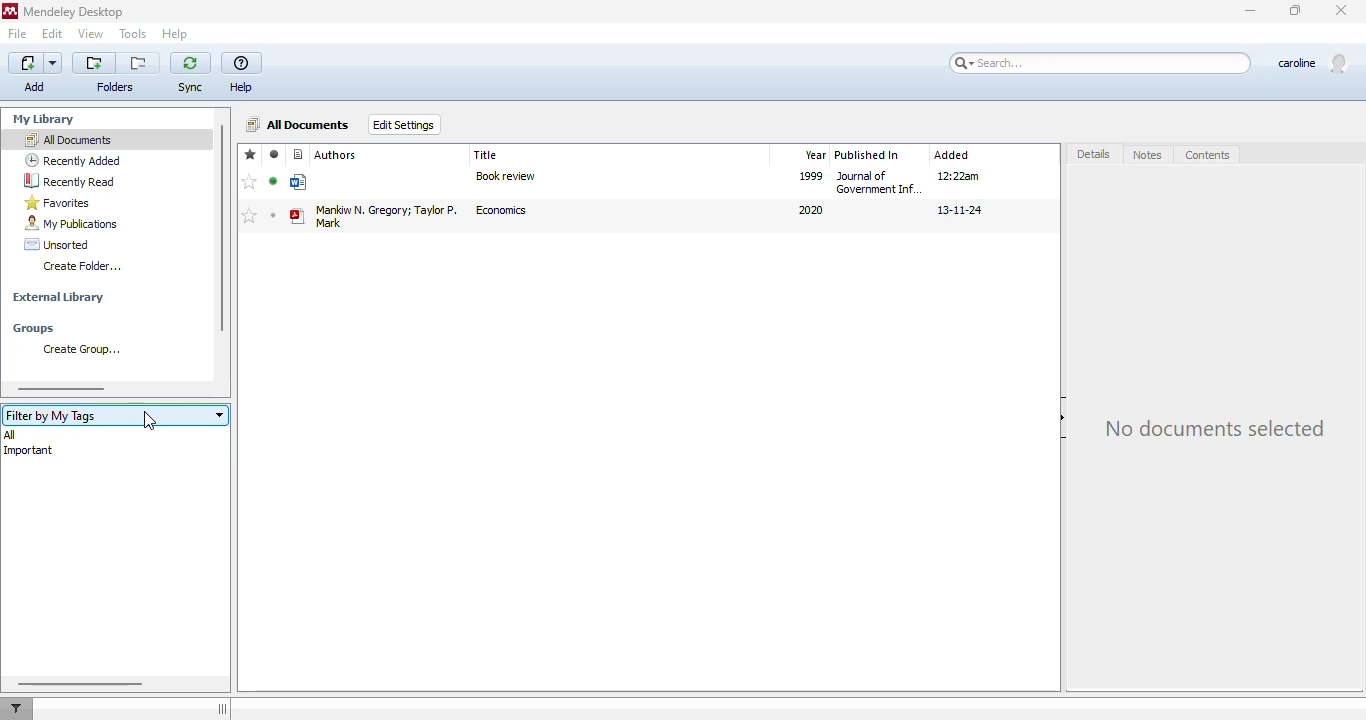  I want to click on read/unread, so click(275, 155).